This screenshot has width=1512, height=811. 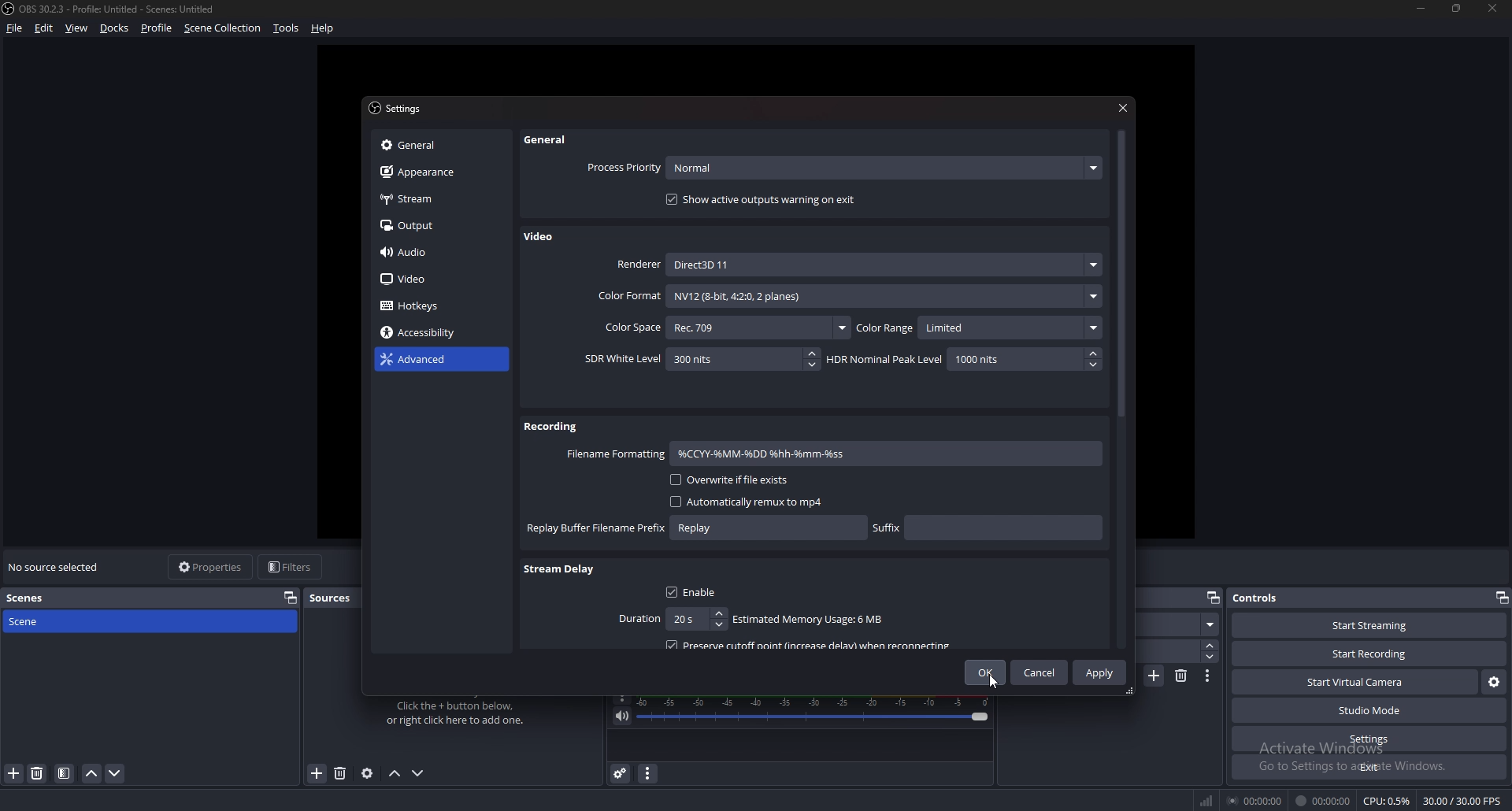 What do you see at coordinates (94, 775) in the screenshot?
I see `move scene up` at bounding box center [94, 775].